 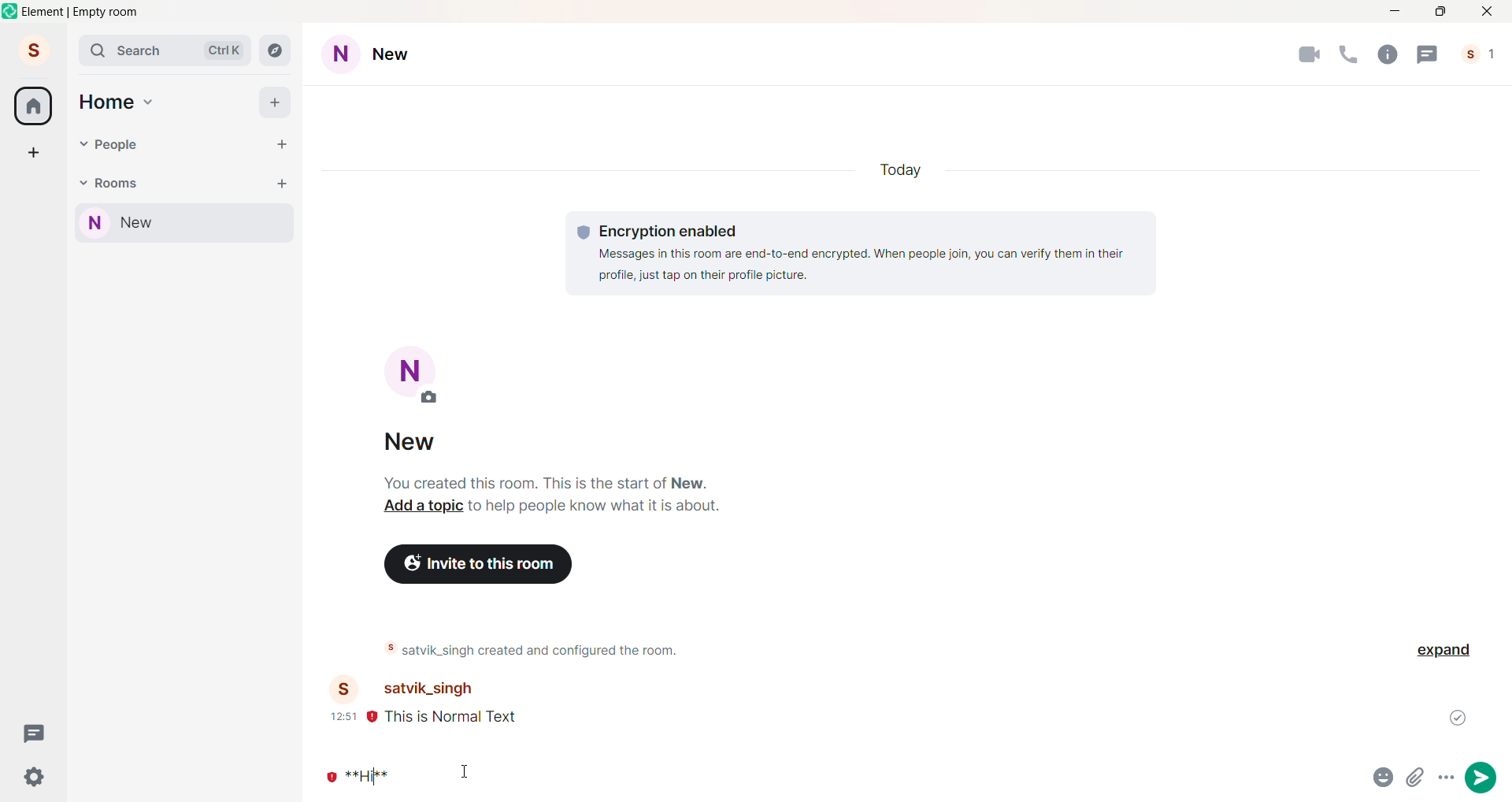 What do you see at coordinates (1386, 54) in the screenshot?
I see `Room Info` at bounding box center [1386, 54].